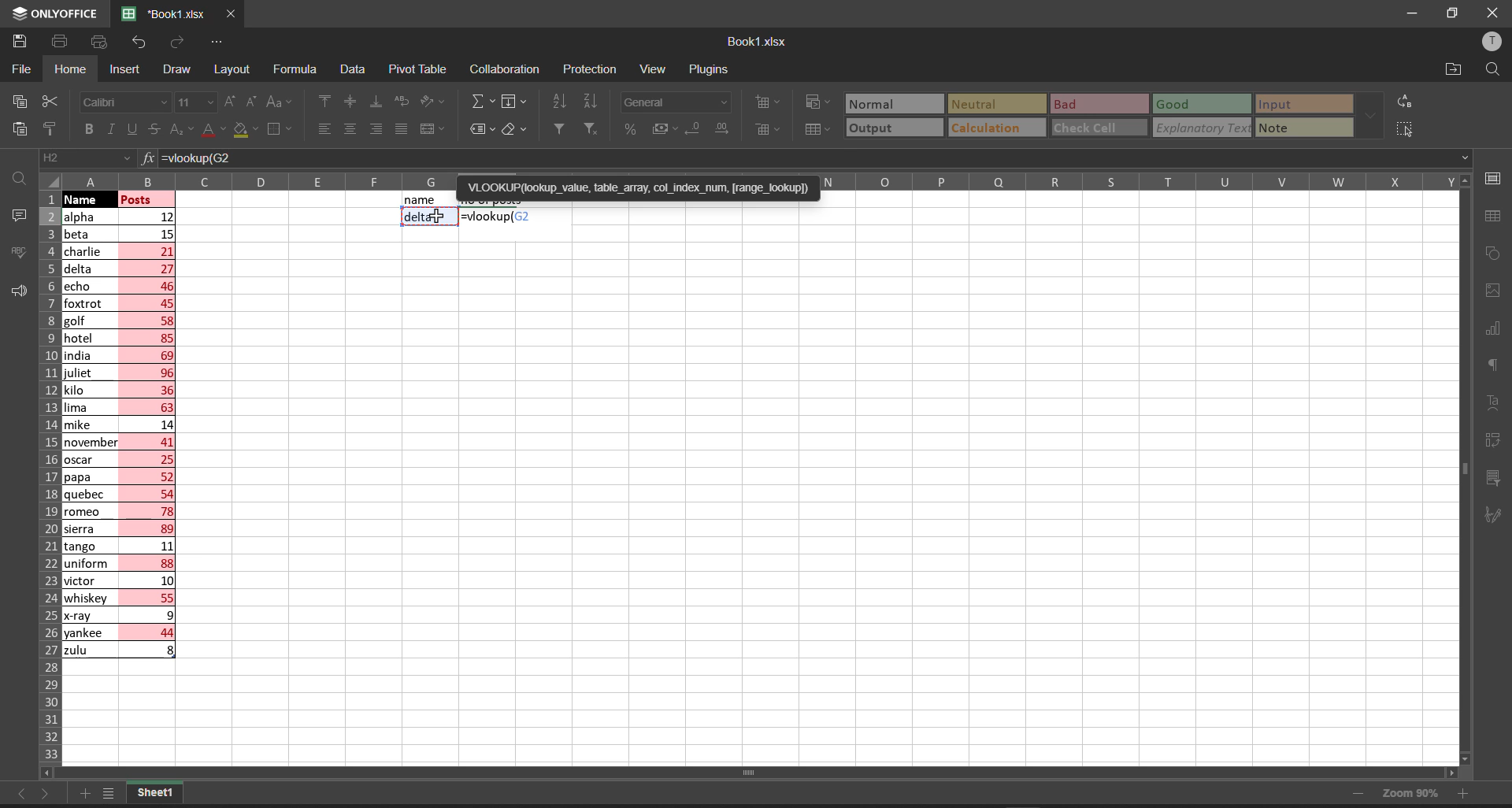  Describe the element at coordinates (1466, 795) in the screenshot. I see `zoom in` at that location.